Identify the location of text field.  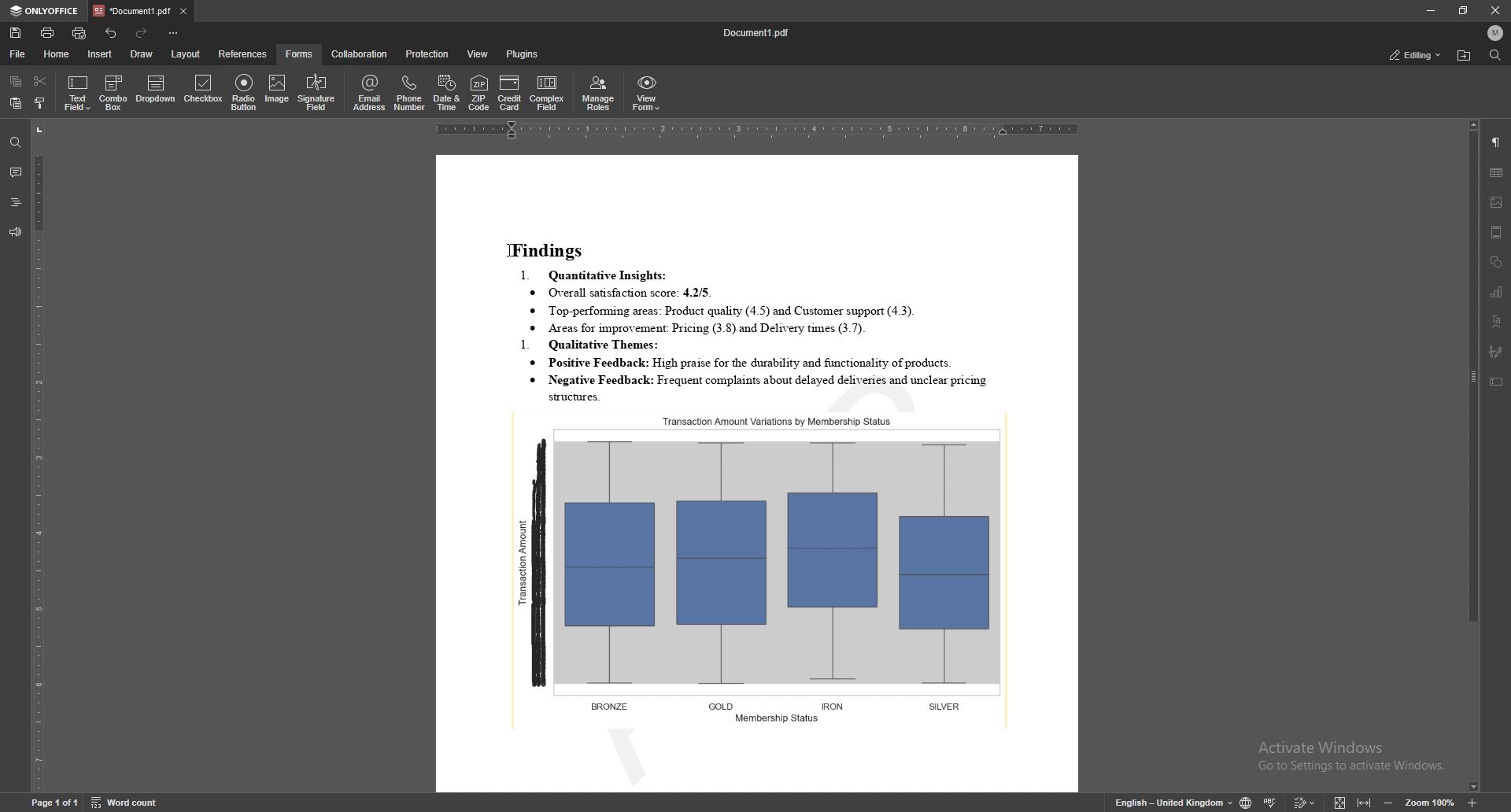
(79, 92).